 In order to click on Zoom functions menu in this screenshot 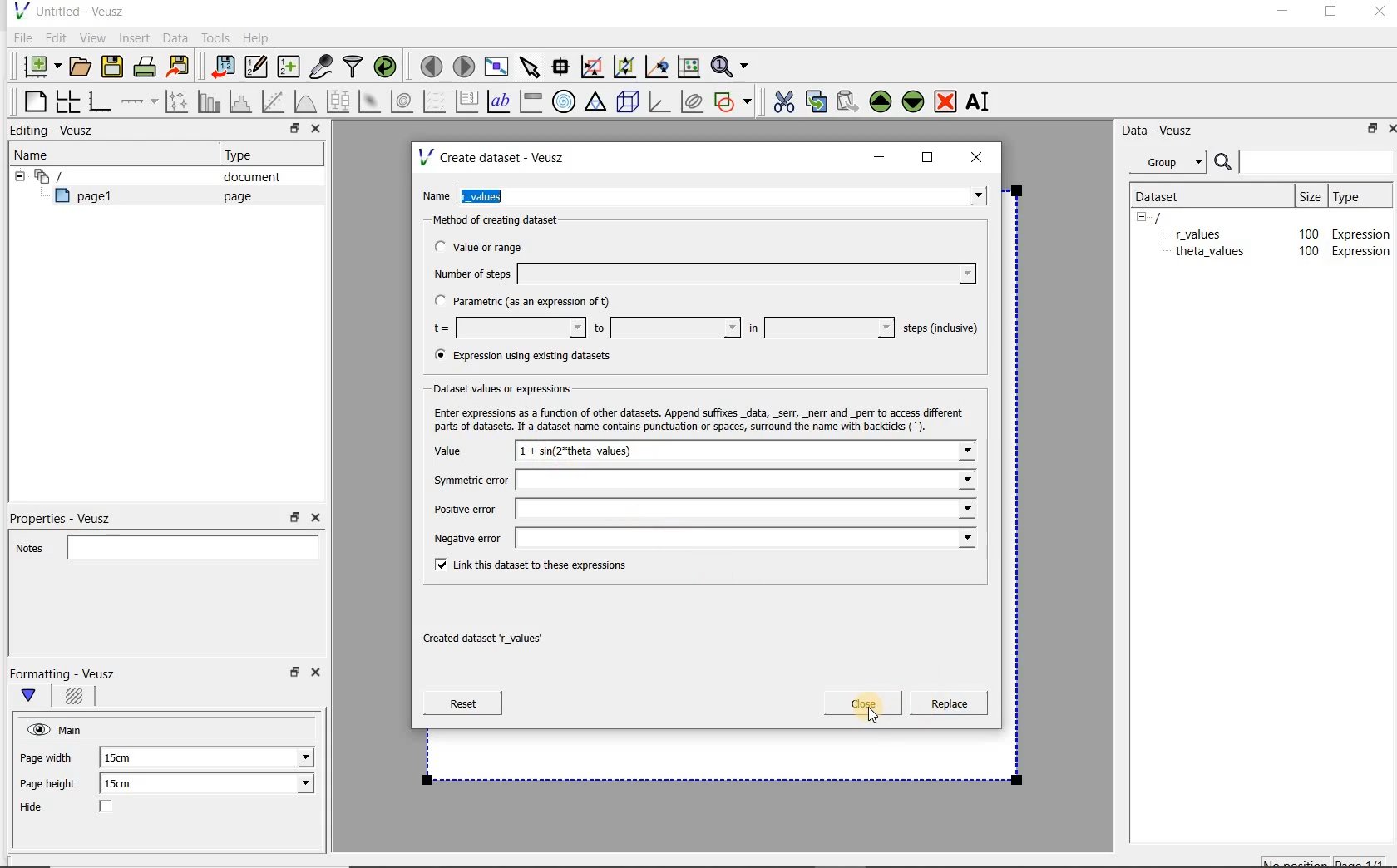, I will do `click(731, 62)`.